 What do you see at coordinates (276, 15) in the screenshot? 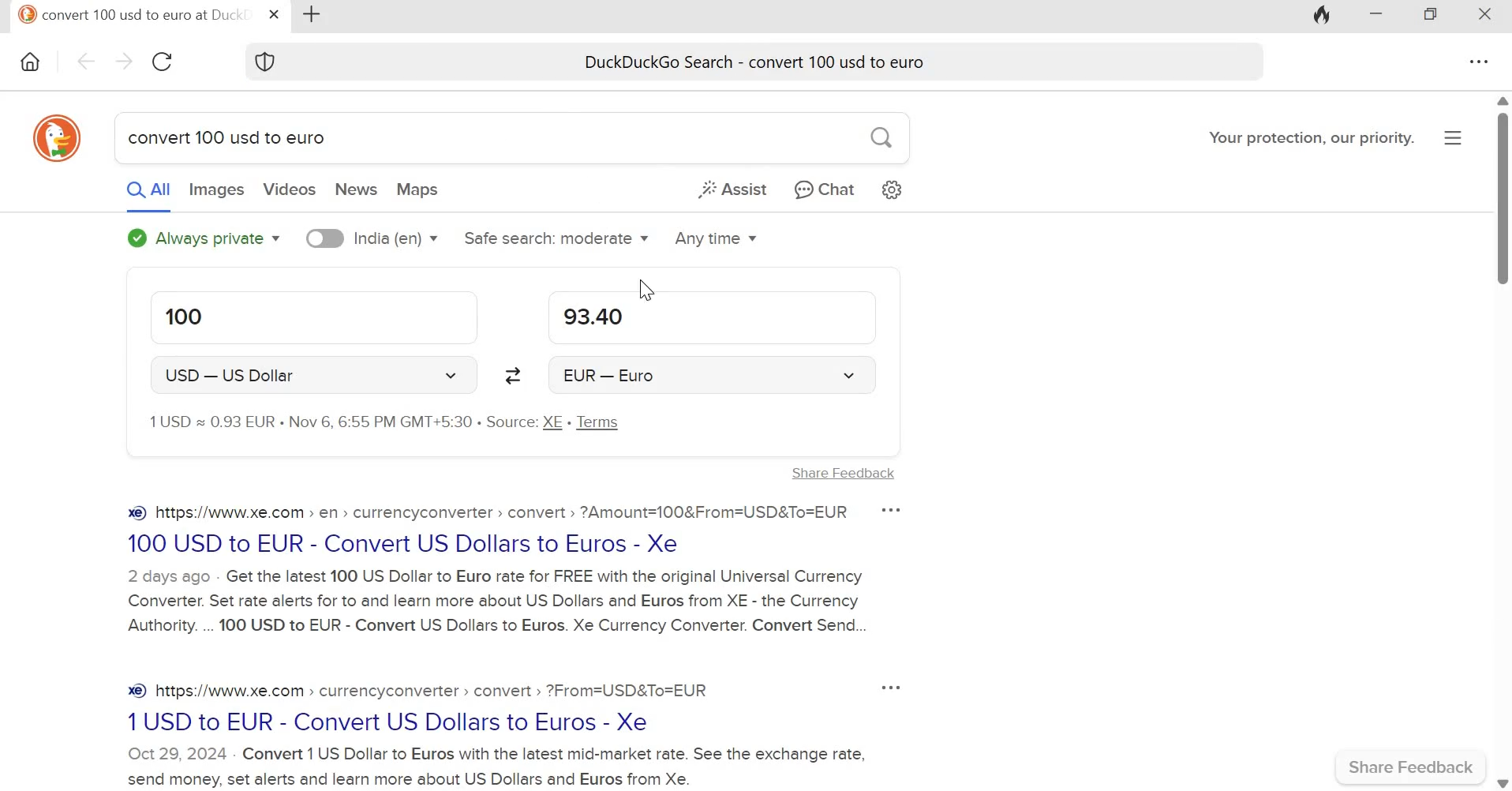
I see `close tab` at bounding box center [276, 15].